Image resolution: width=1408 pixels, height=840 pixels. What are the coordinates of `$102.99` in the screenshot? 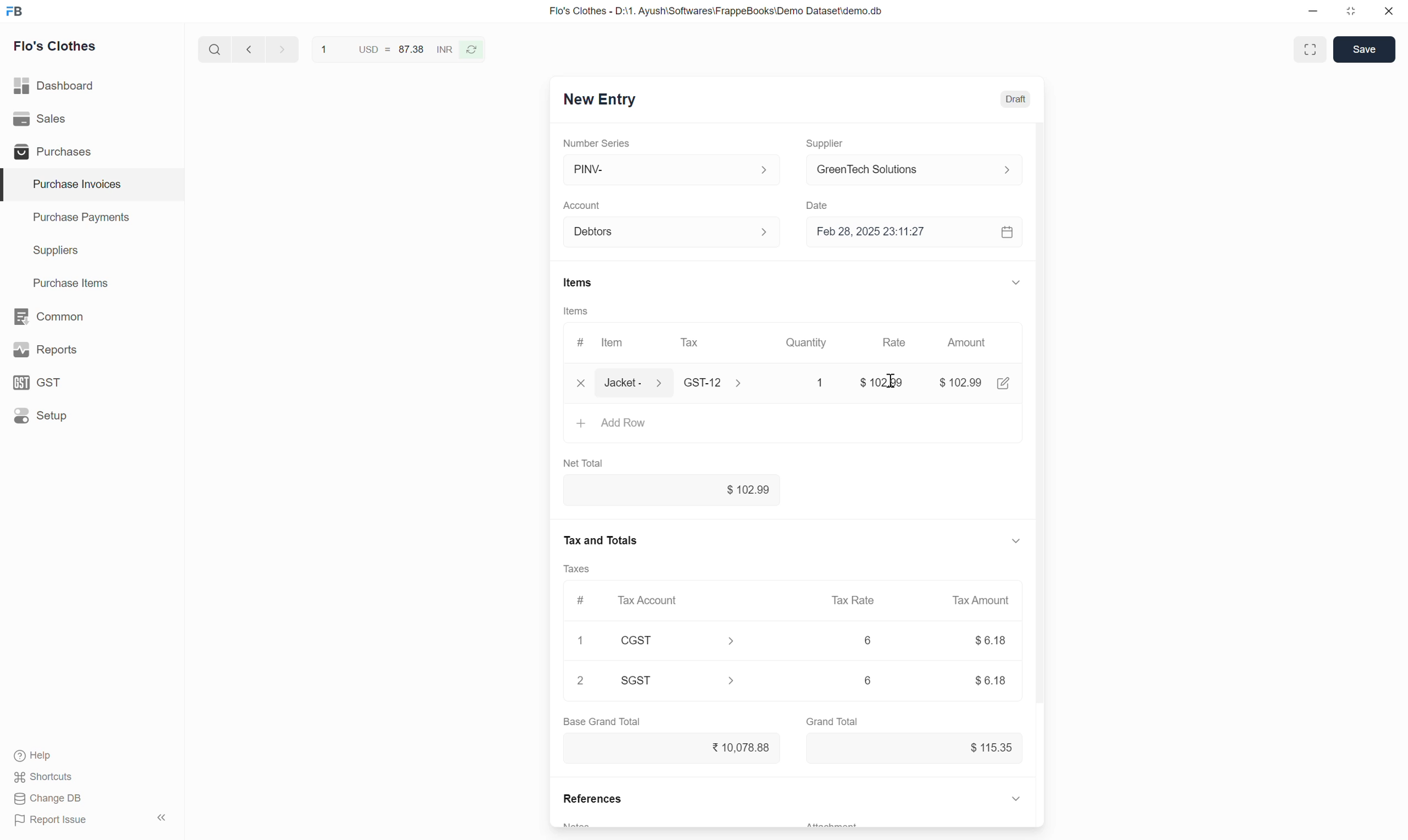 It's located at (672, 490).